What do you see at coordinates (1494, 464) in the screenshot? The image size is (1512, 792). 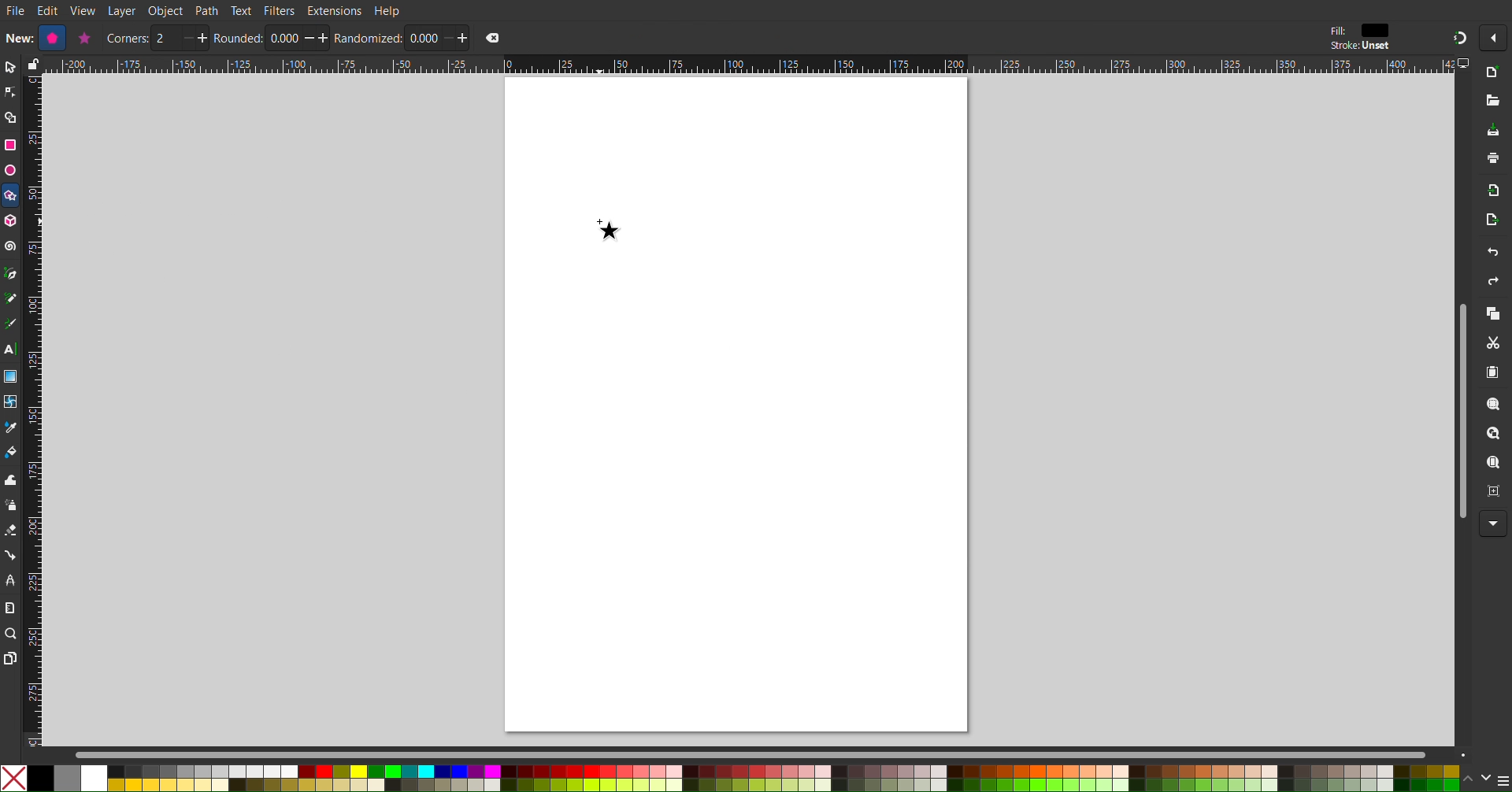 I see `Zoom Page` at bounding box center [1494, 464].